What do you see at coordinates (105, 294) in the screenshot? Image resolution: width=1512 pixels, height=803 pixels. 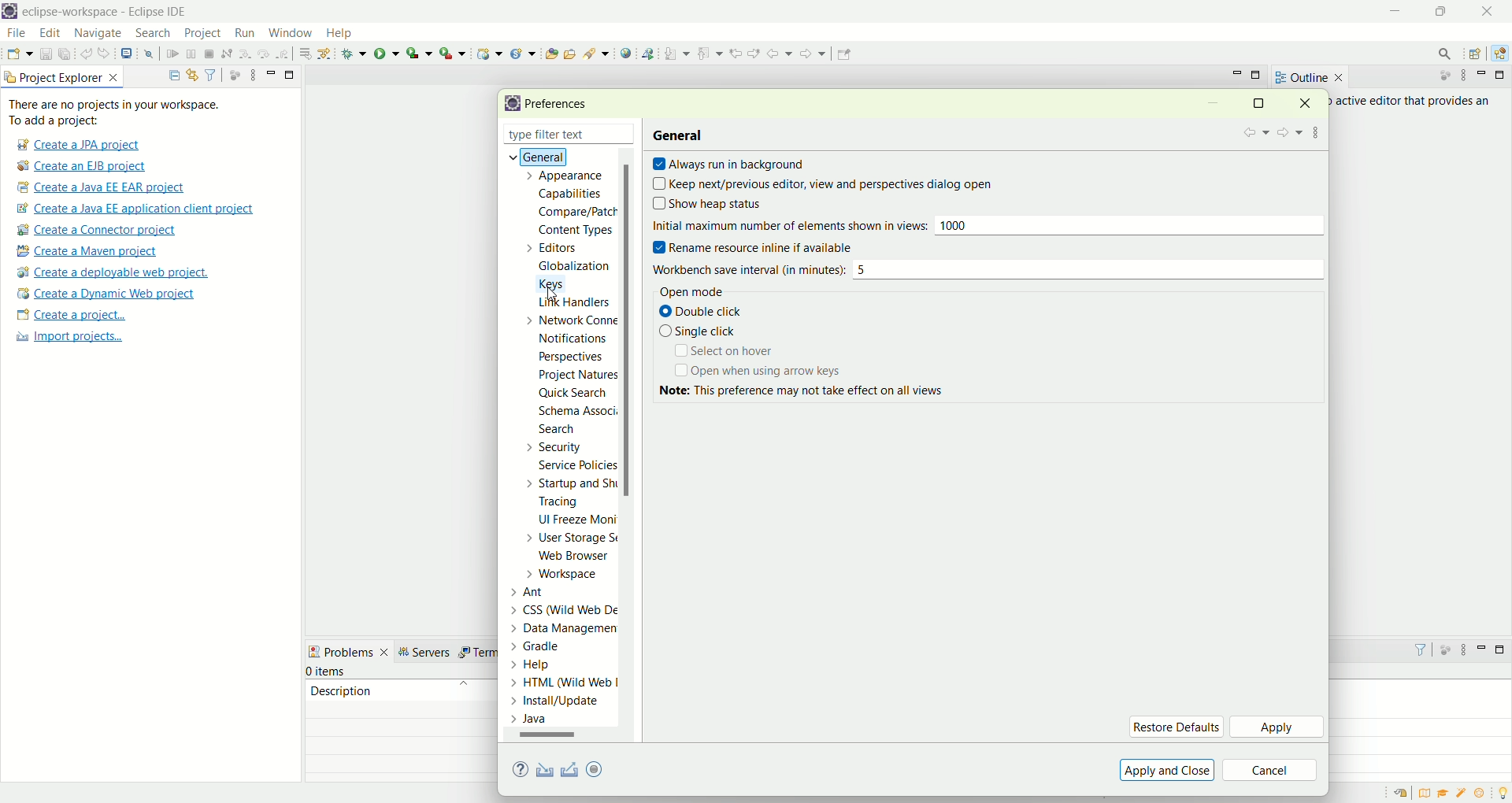 I see `create a dynamic web project` at bounding box center [105, 294].